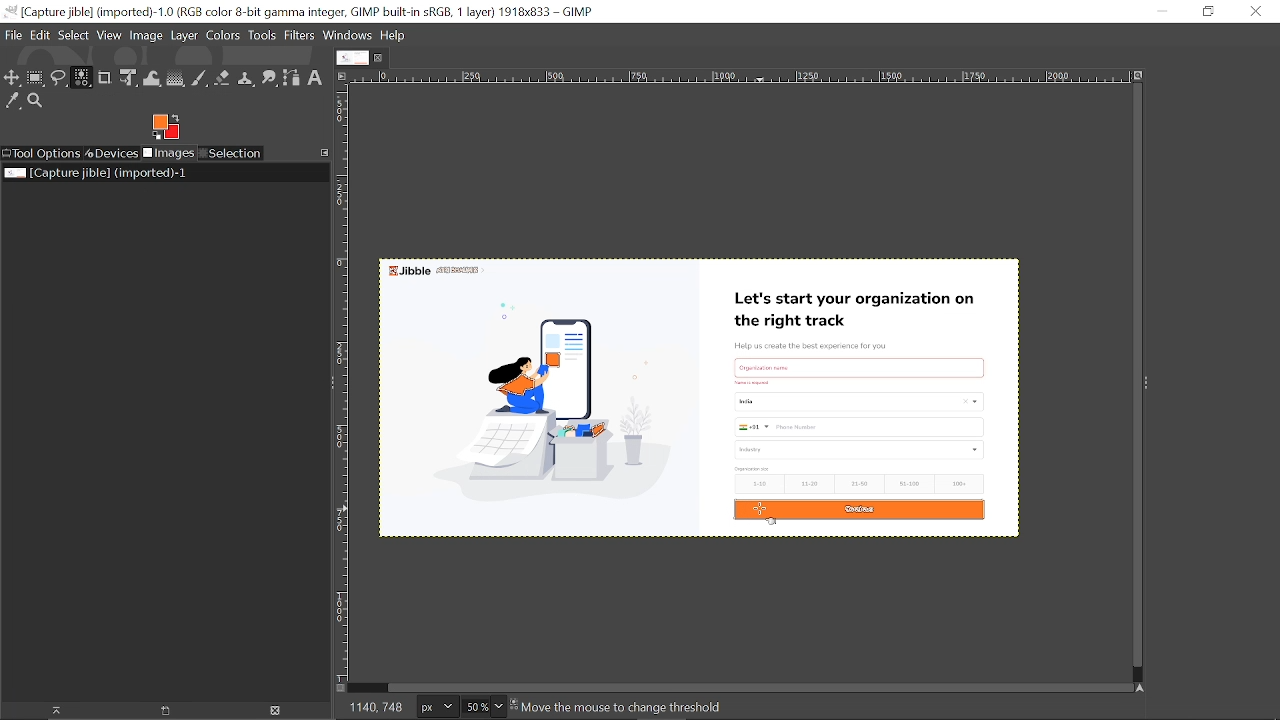  What do you see at coordinates (147, 36) in the screenshot?
I see `Image` at bounding box center [147, 36].